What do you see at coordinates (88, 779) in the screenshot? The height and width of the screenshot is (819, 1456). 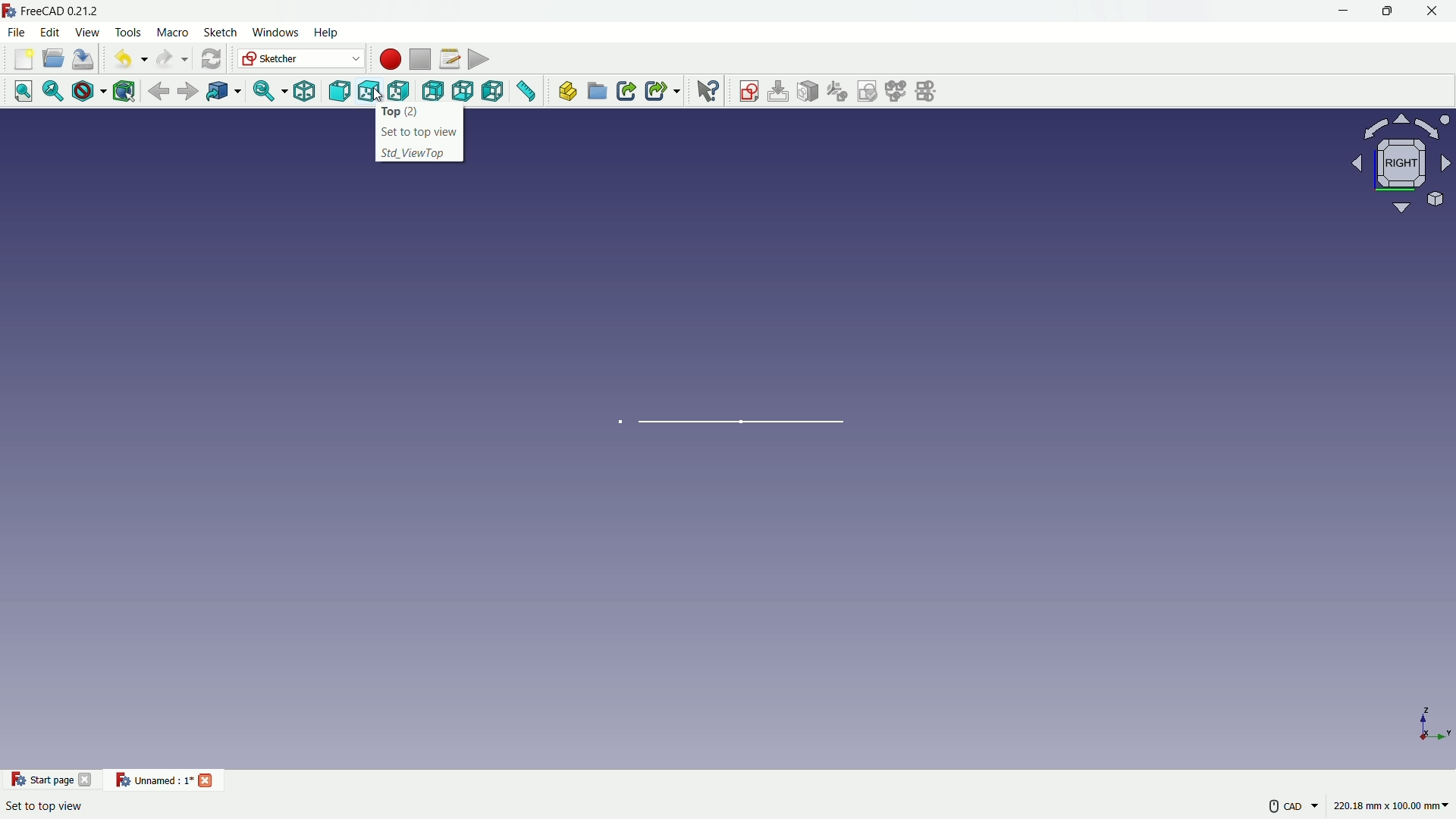 I see `close` at bounding box center [88, 779].